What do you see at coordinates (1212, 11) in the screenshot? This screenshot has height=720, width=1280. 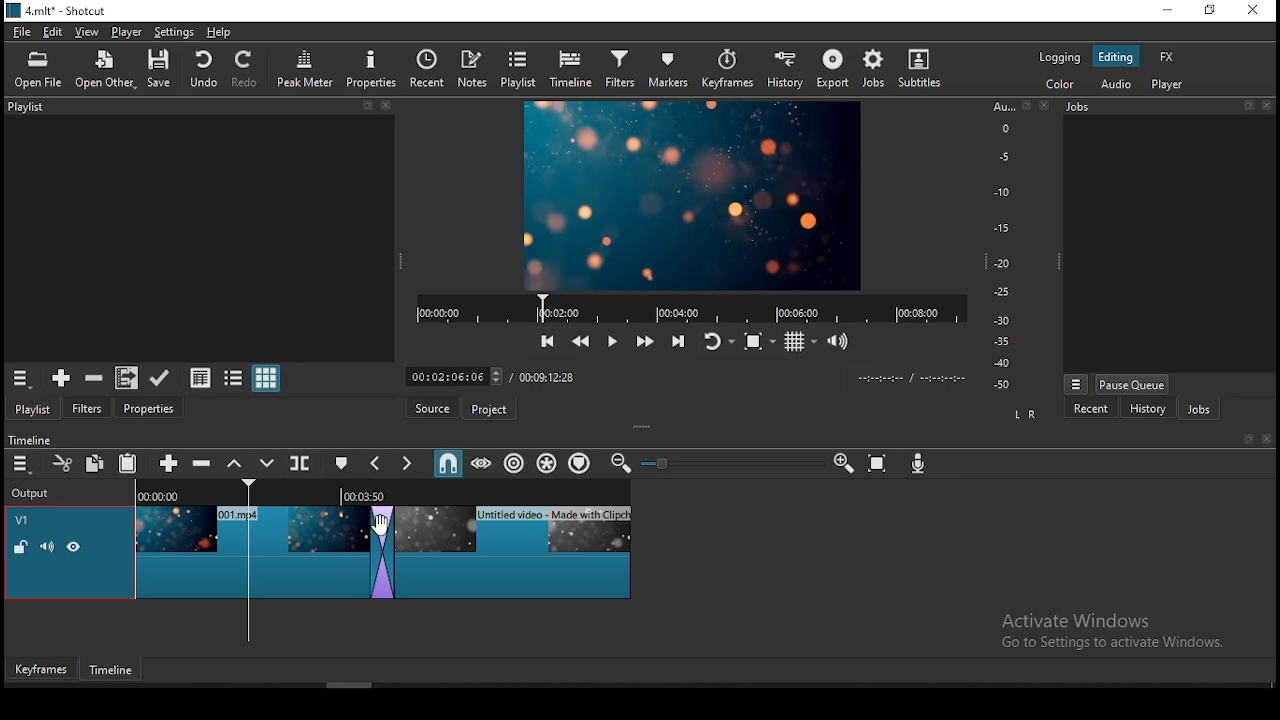 I see `restore` at bounding box center [1212, 11].